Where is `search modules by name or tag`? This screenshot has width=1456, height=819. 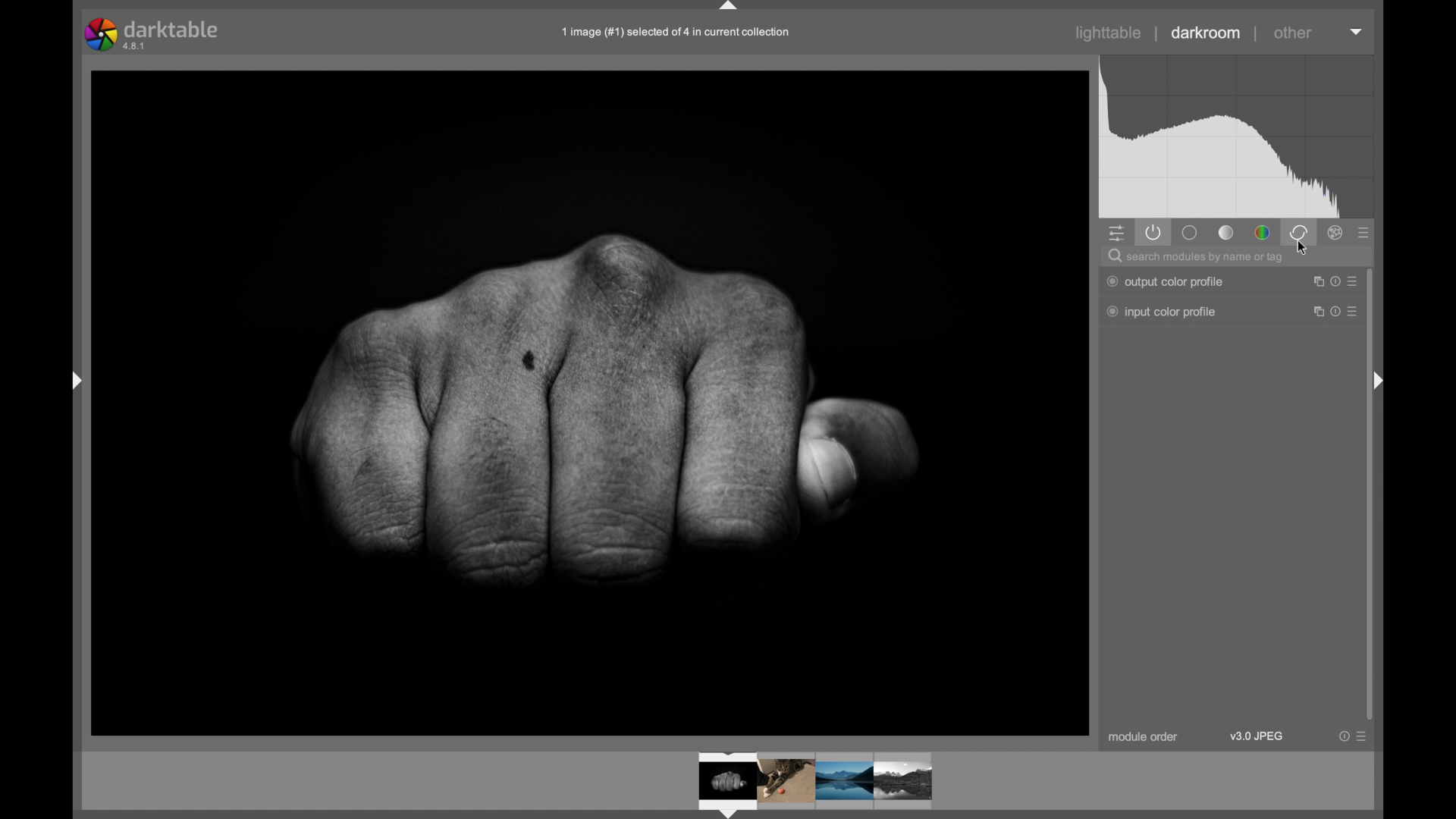
search modules by name or tag is located at coordinates (1193, 258).